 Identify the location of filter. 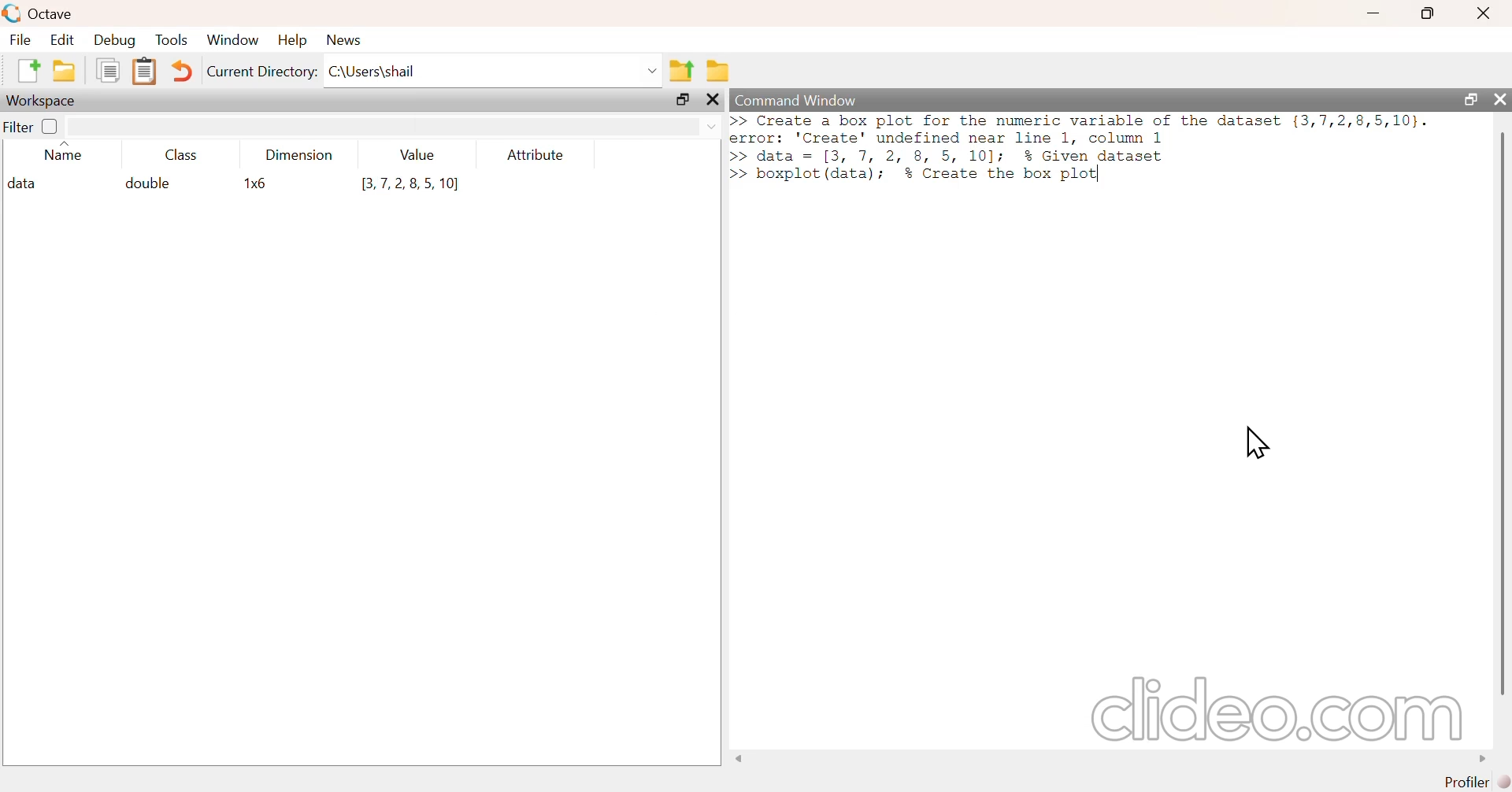
(32, 126).